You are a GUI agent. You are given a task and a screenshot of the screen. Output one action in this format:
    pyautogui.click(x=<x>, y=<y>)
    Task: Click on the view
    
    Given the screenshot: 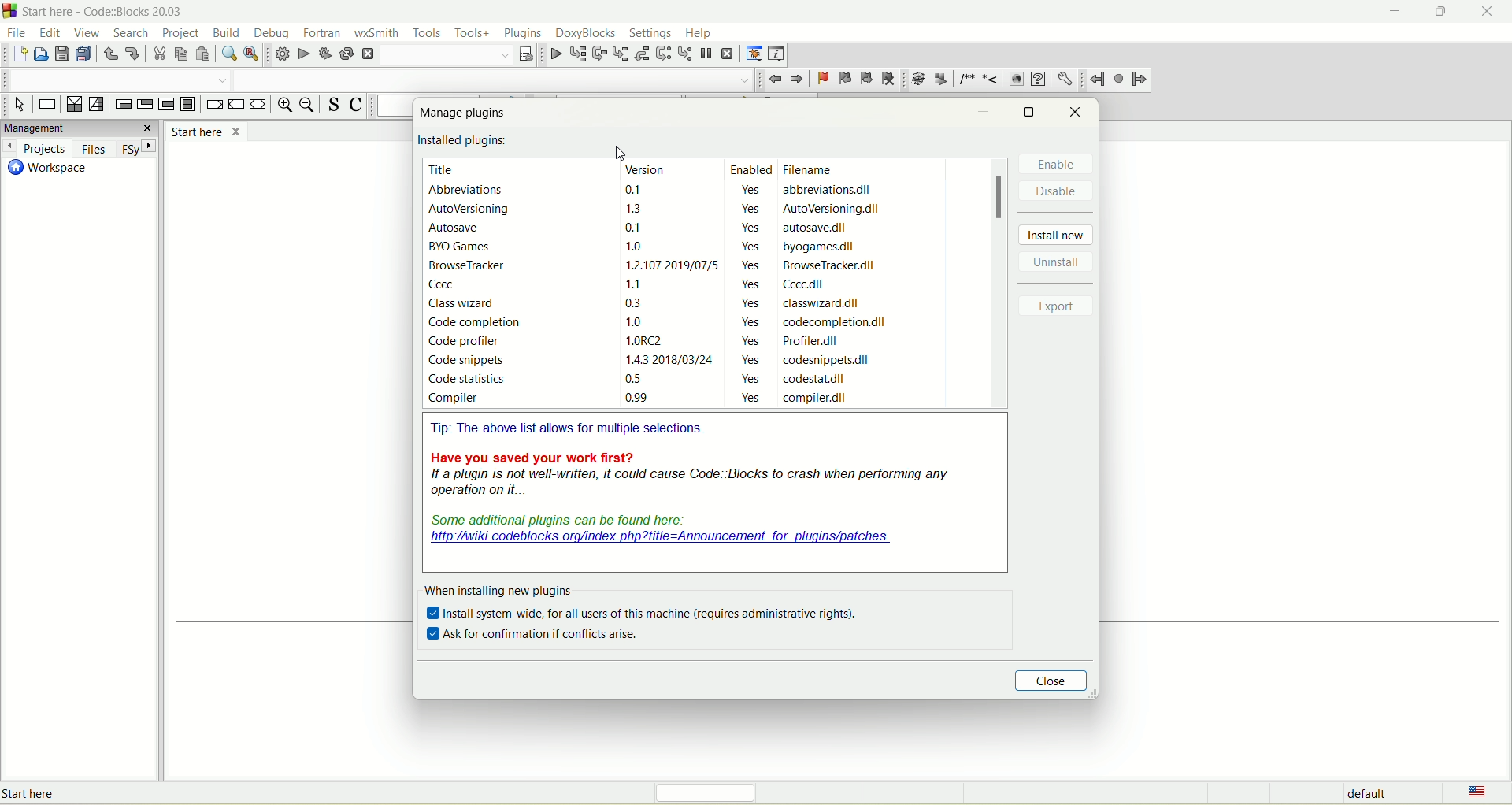 What is the action you would take?
    pyautogui.click(x=88, y=32)
    